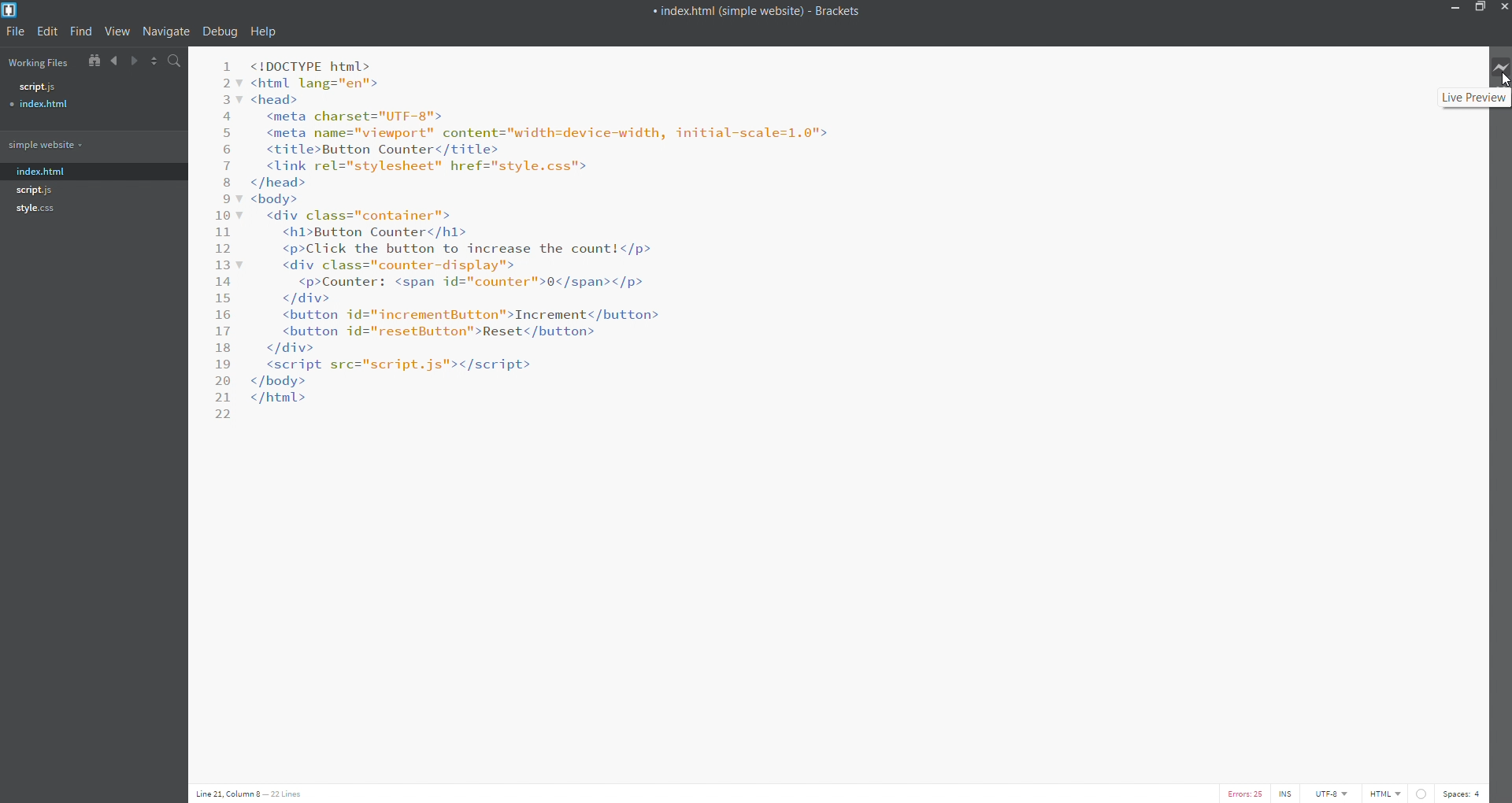 This screenshot has width=1512, height=803. Describe the element at coordinates (50, 31) in the screenshot. I see `edit` at that location.